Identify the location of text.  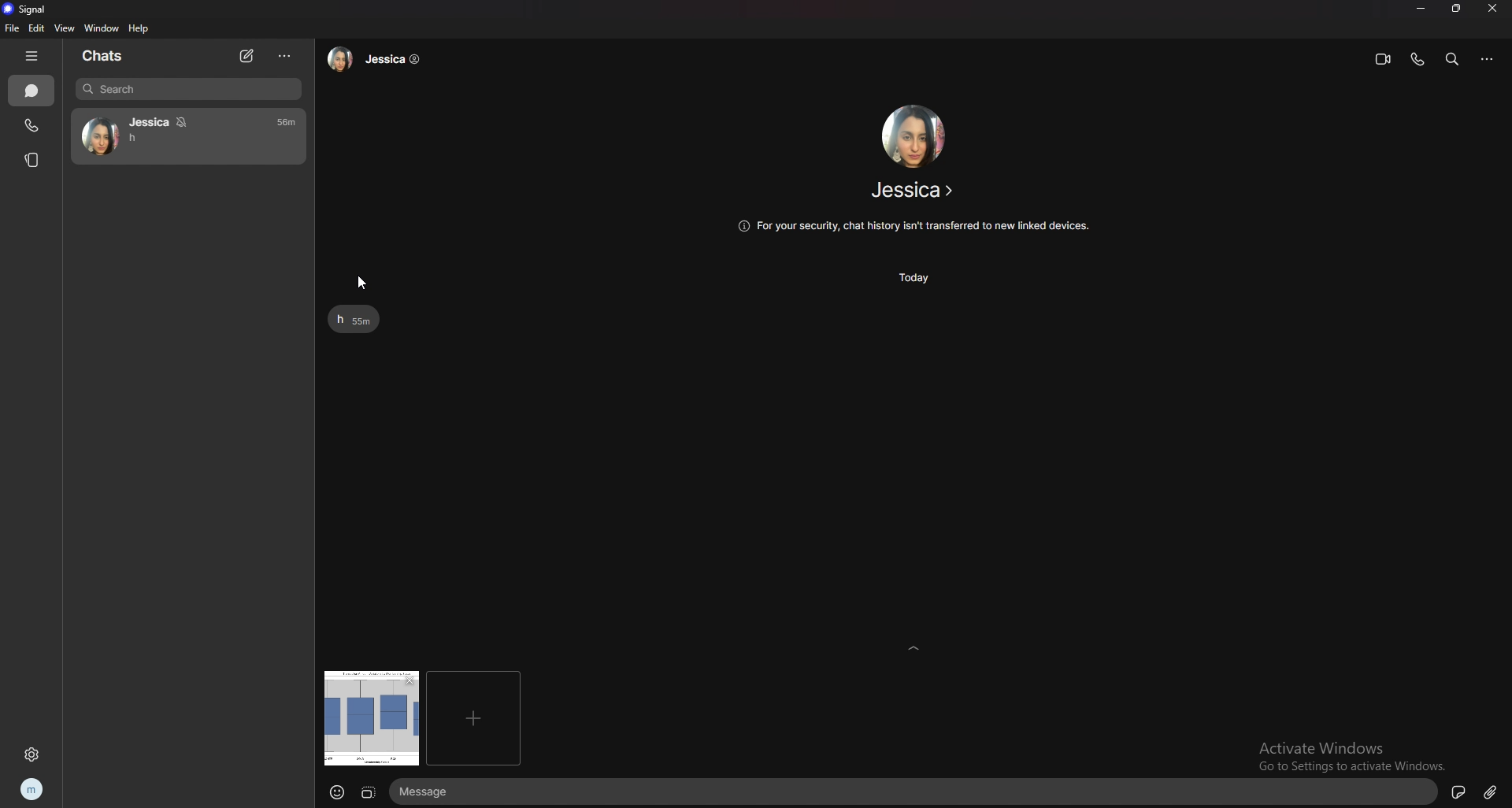
(355, 320).